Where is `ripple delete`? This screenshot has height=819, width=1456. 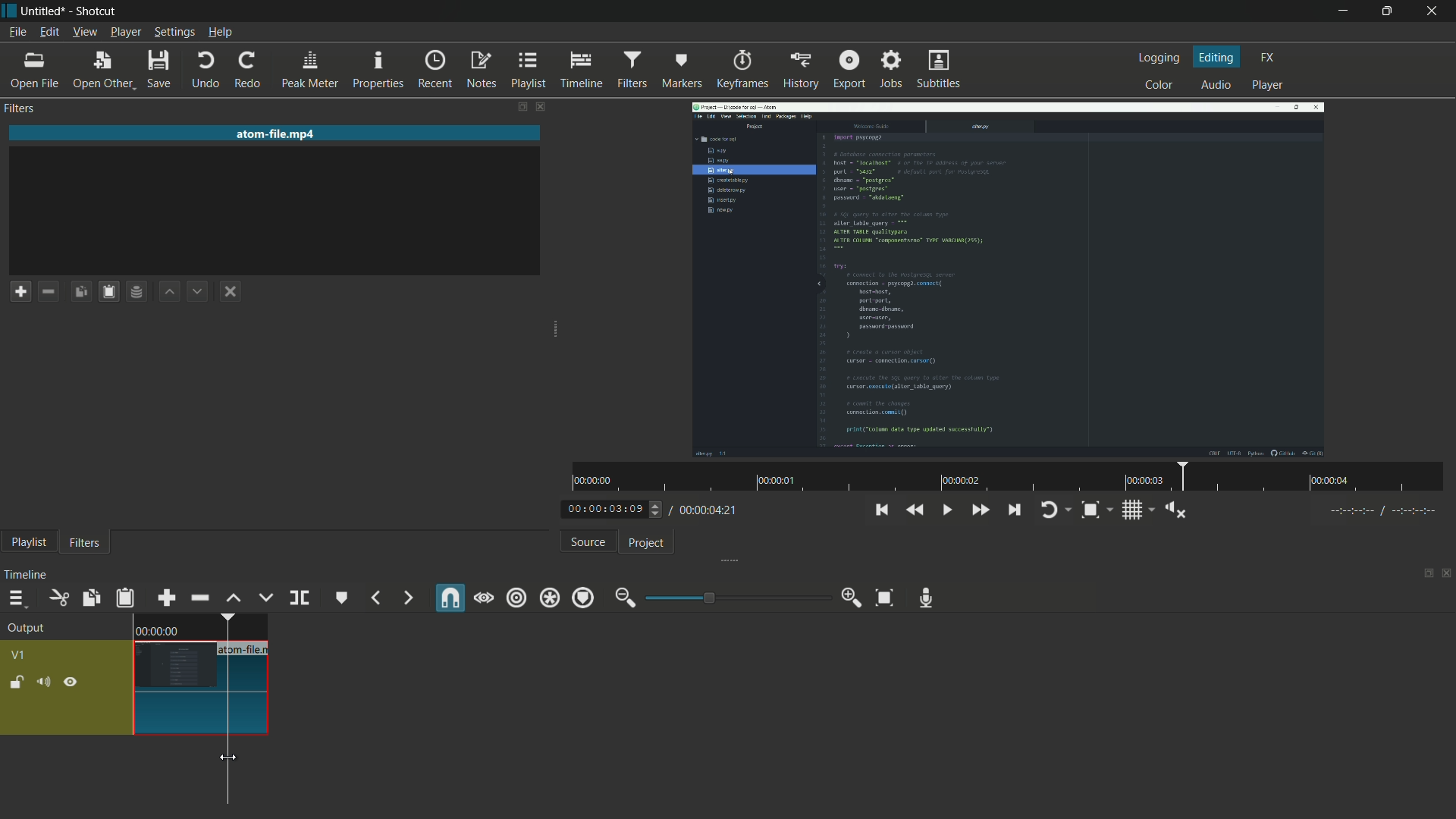 ripple delete is located at coordinates (199, 598).